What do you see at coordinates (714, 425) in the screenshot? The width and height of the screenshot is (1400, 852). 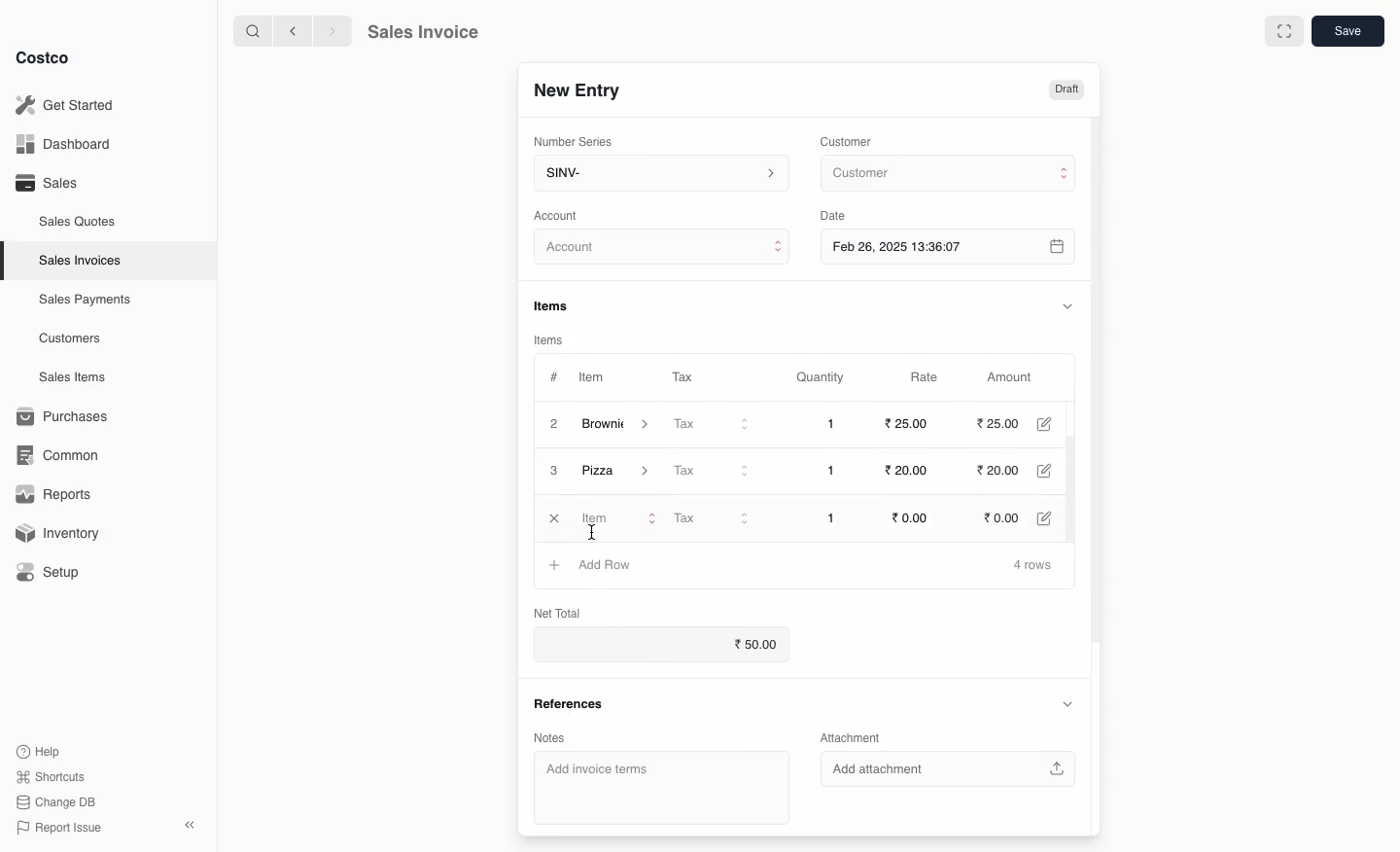 I see `Tax` at bounding box center [714, 425].